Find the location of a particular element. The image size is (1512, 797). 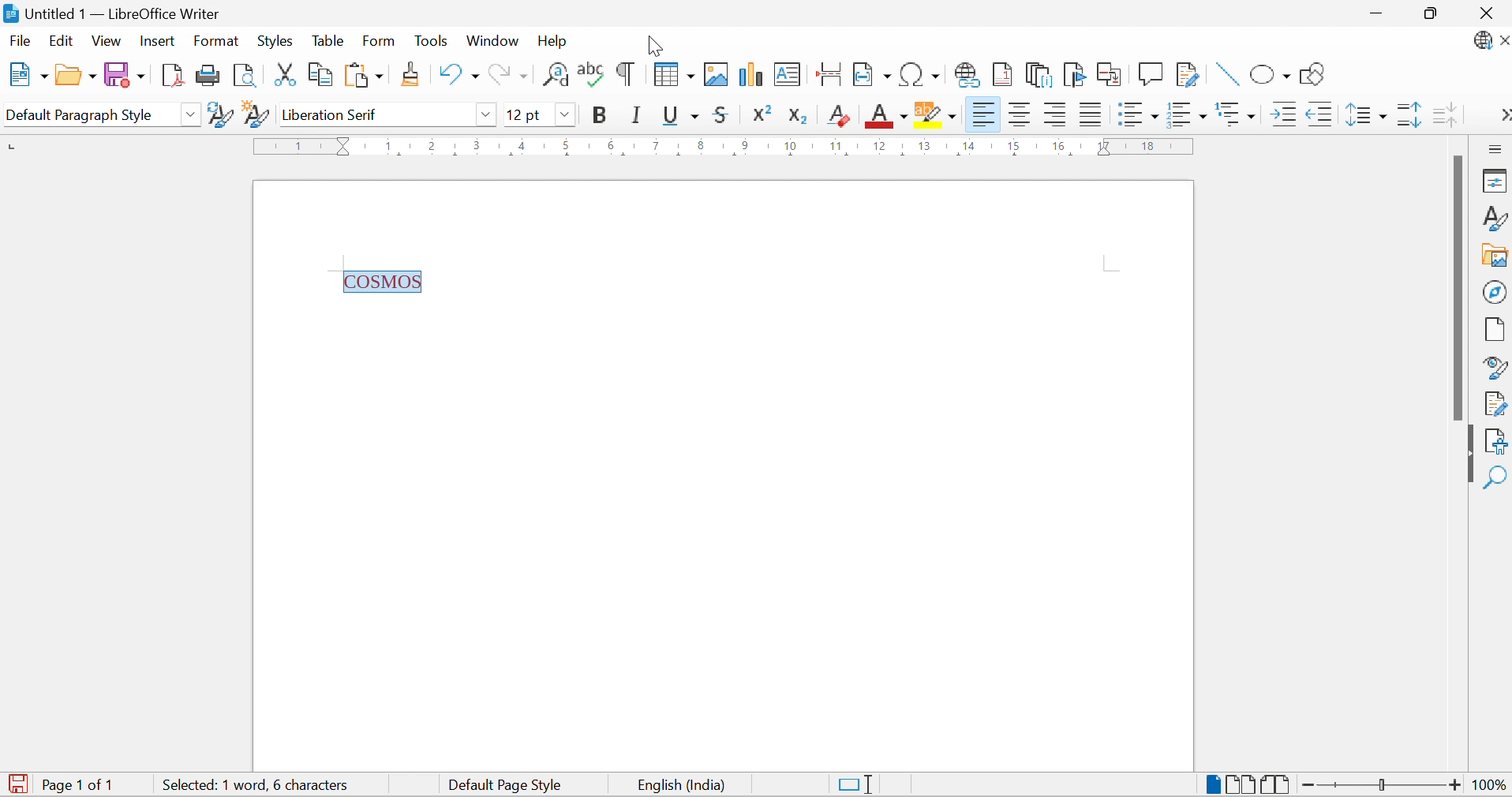

Liberation Serif is located at coordinates (335, 115).